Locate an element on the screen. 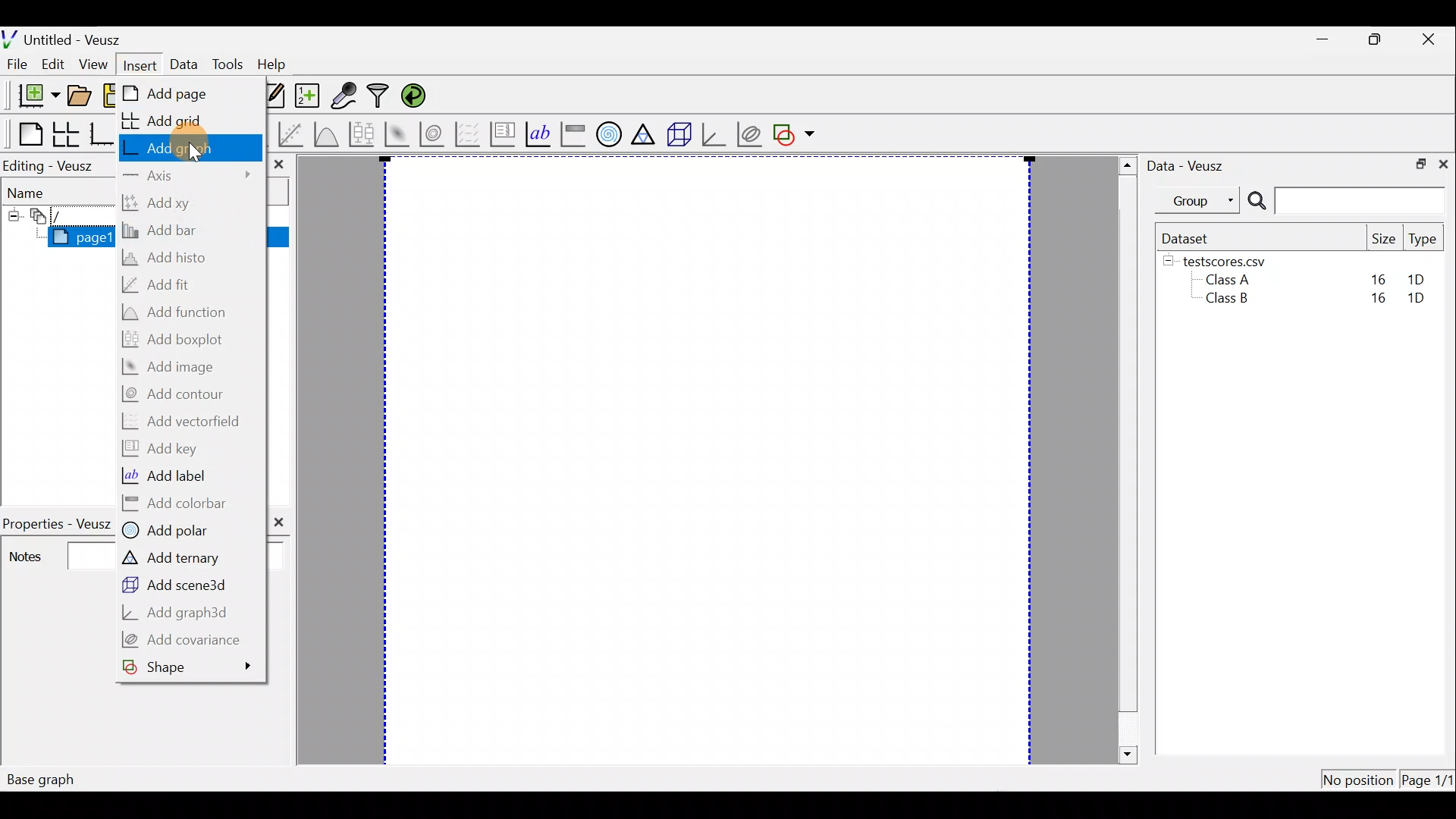 This screenshot has width=1456, height=819. Add key is located at coordinates (163, 449).